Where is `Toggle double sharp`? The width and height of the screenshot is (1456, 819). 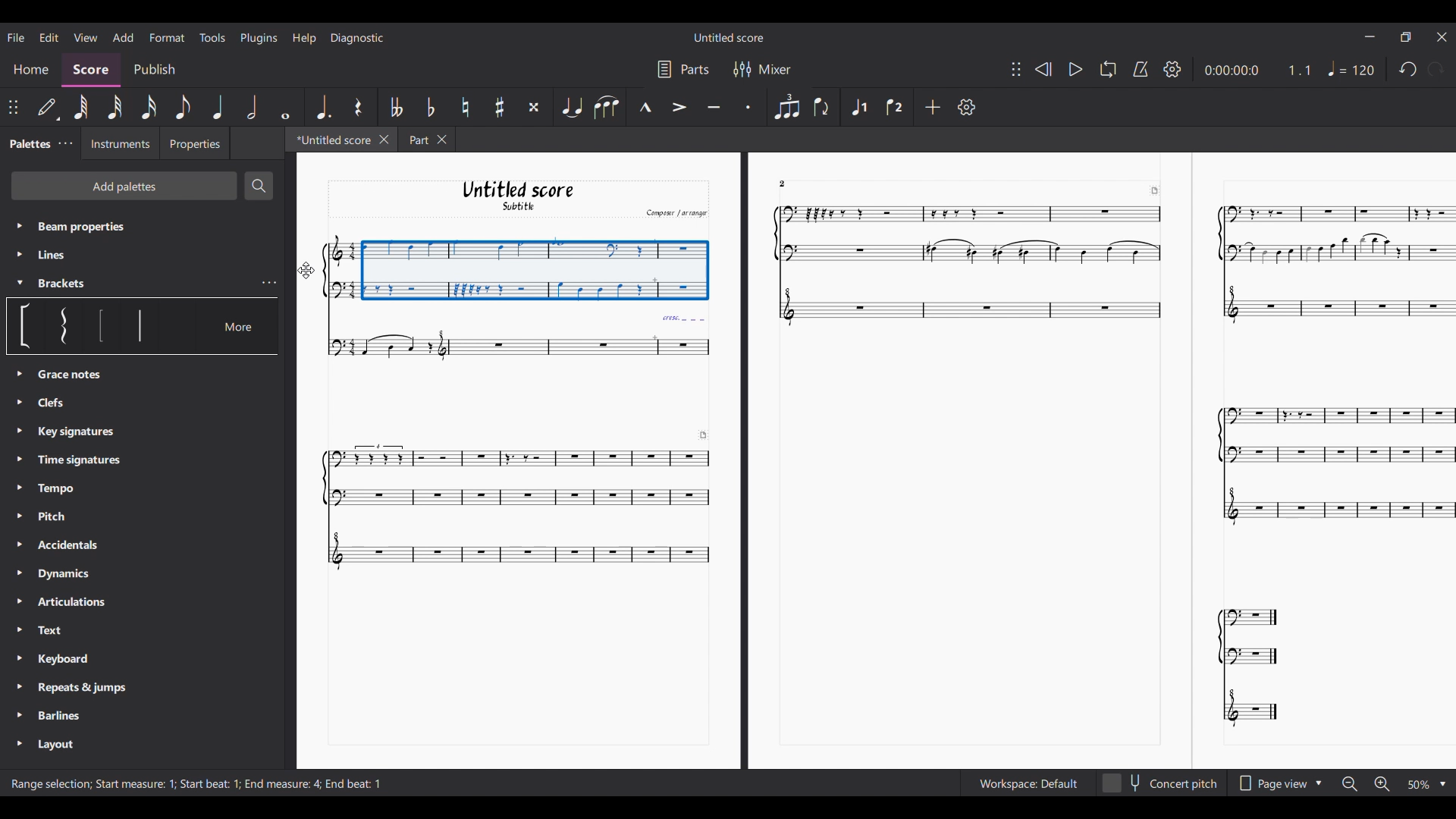 Toggle double sharp is located at coordinates (533, 106).